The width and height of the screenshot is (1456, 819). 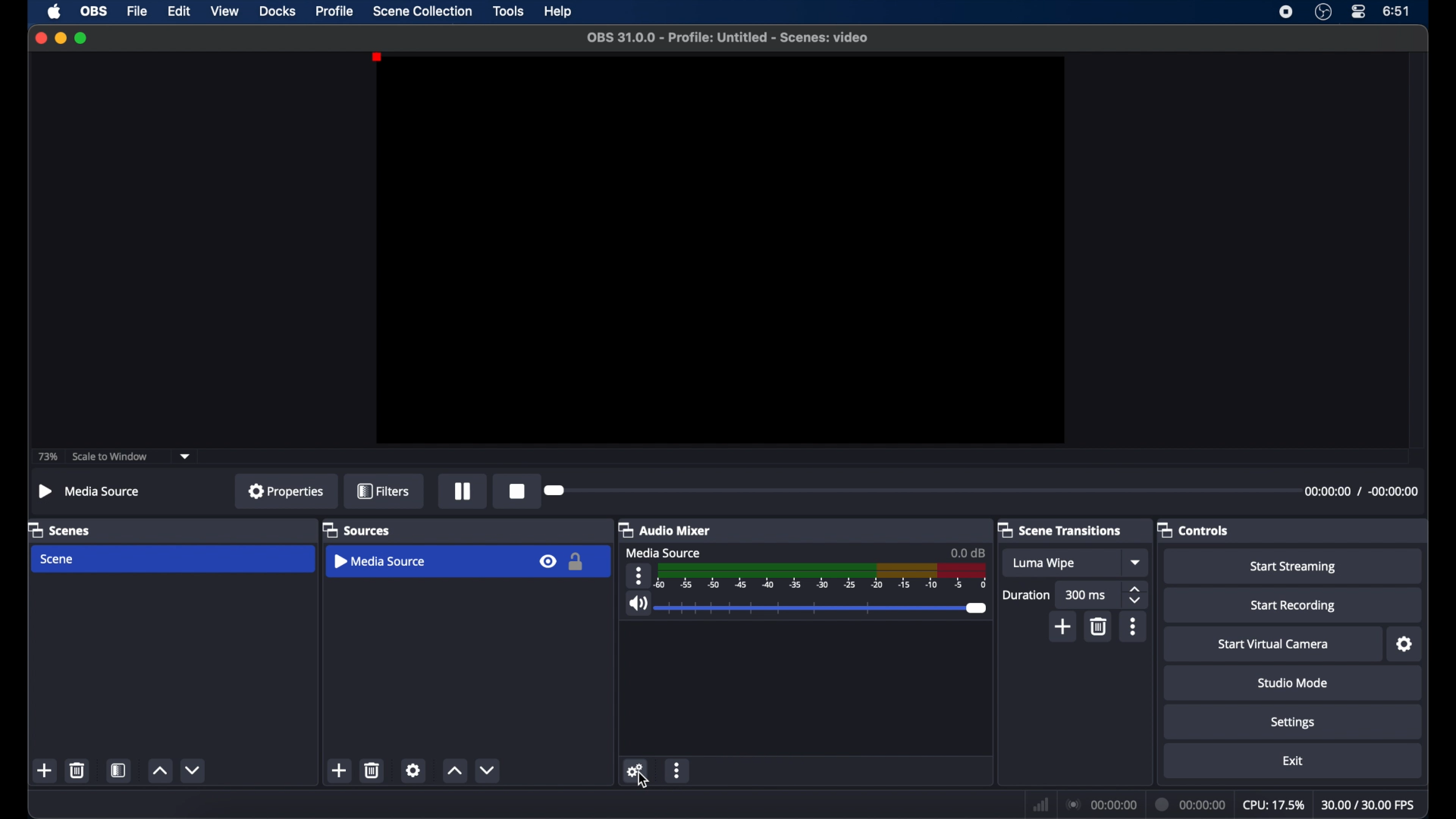 I want to click on 300ms, so click(x=1086, y=595).